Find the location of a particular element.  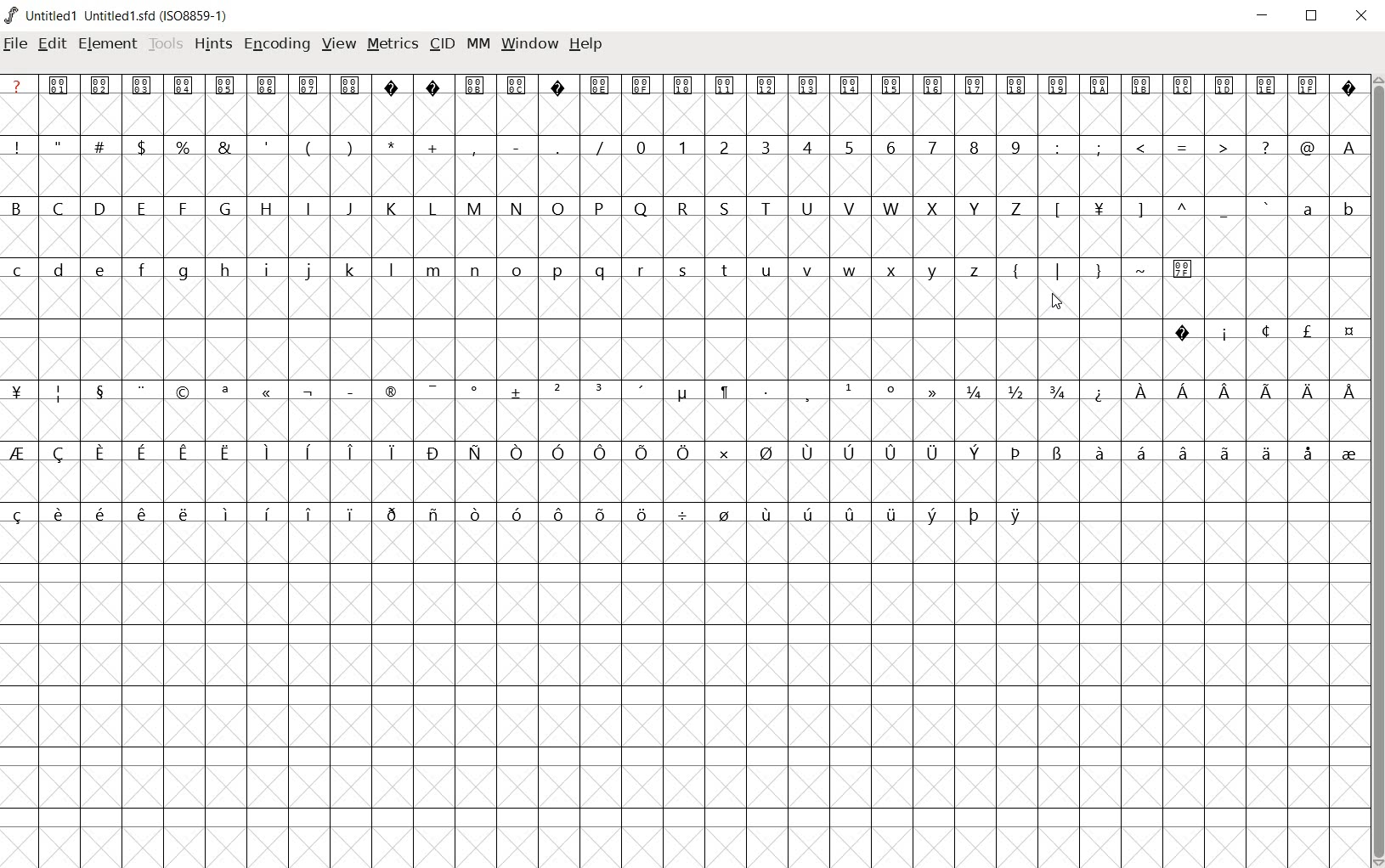

empty cells is located at coordinates (682, 301).